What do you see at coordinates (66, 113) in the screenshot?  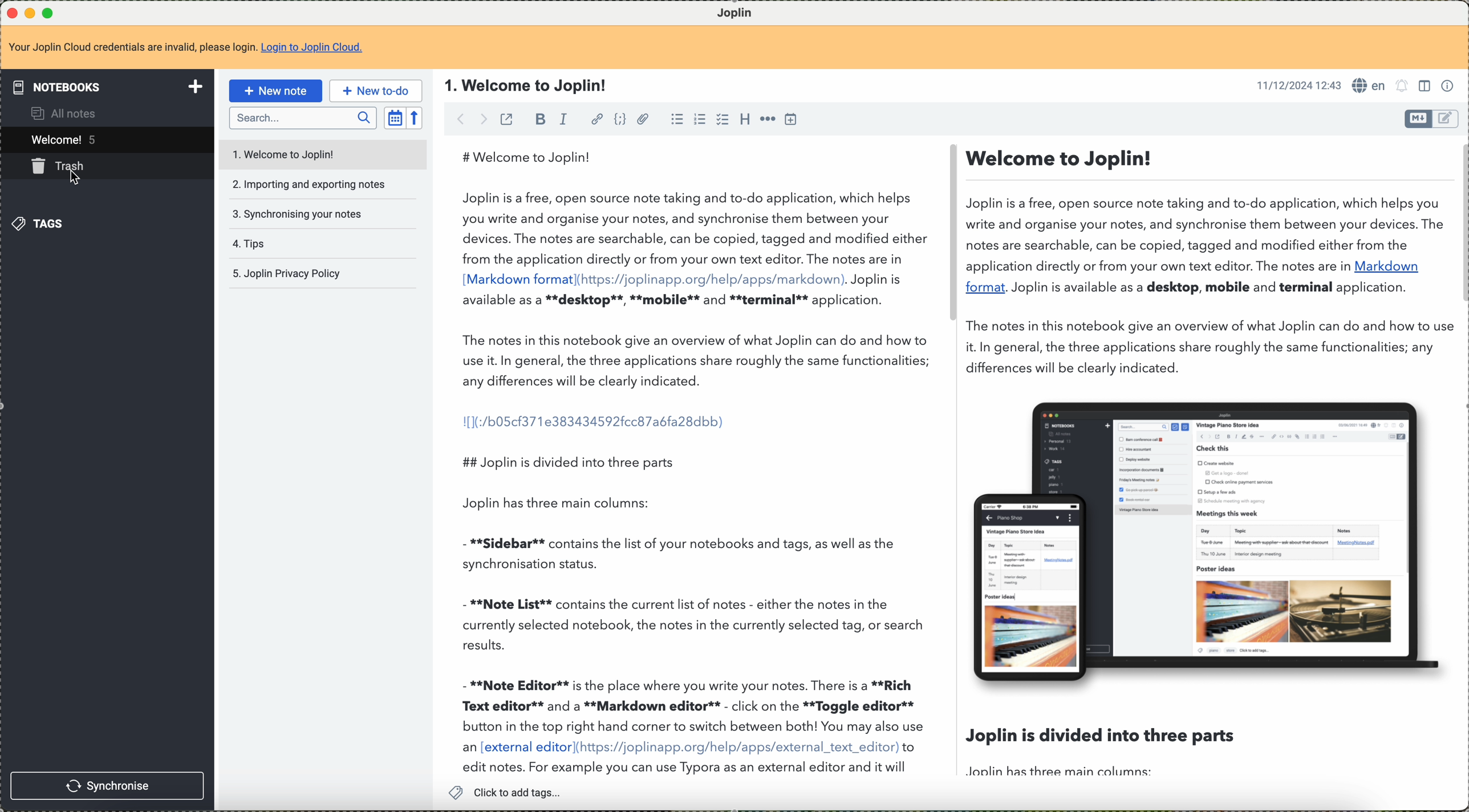 I see `all notes` at bounding box center [66, 113].